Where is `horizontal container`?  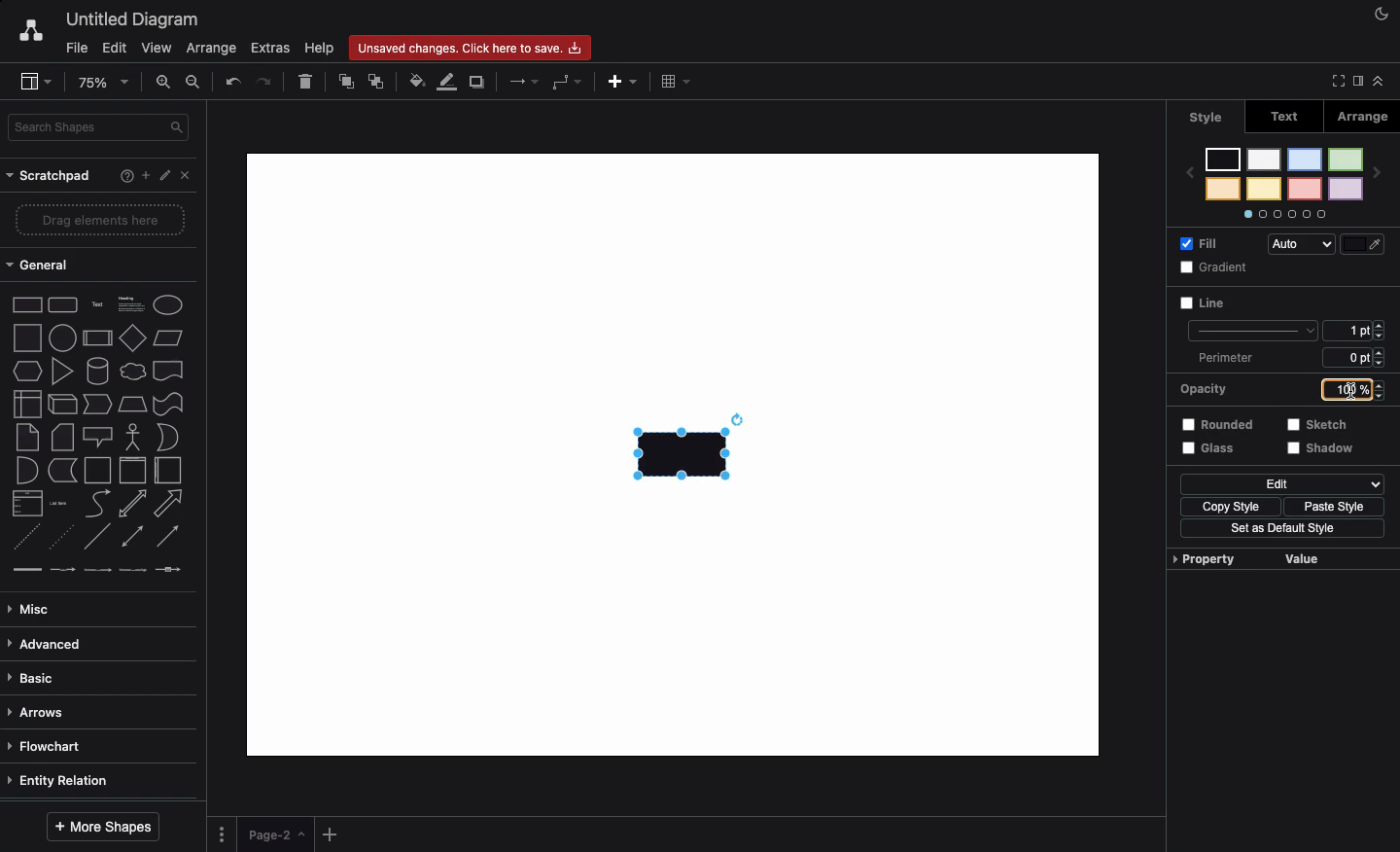 horizontal container is located at coordinates (172, 471).